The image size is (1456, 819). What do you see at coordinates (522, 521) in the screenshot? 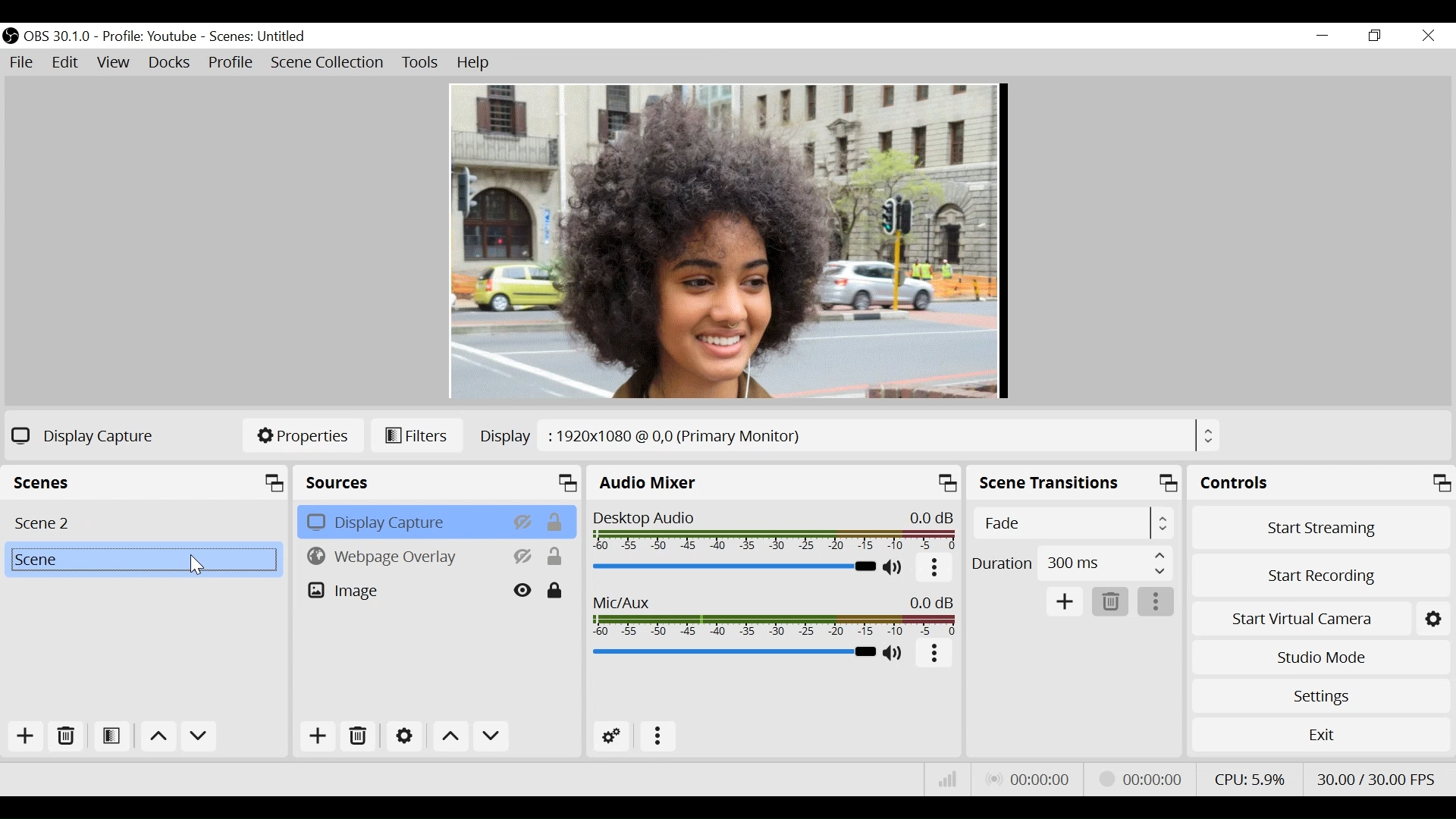
I see `Hide/Display` at bounding box center [522, 521].